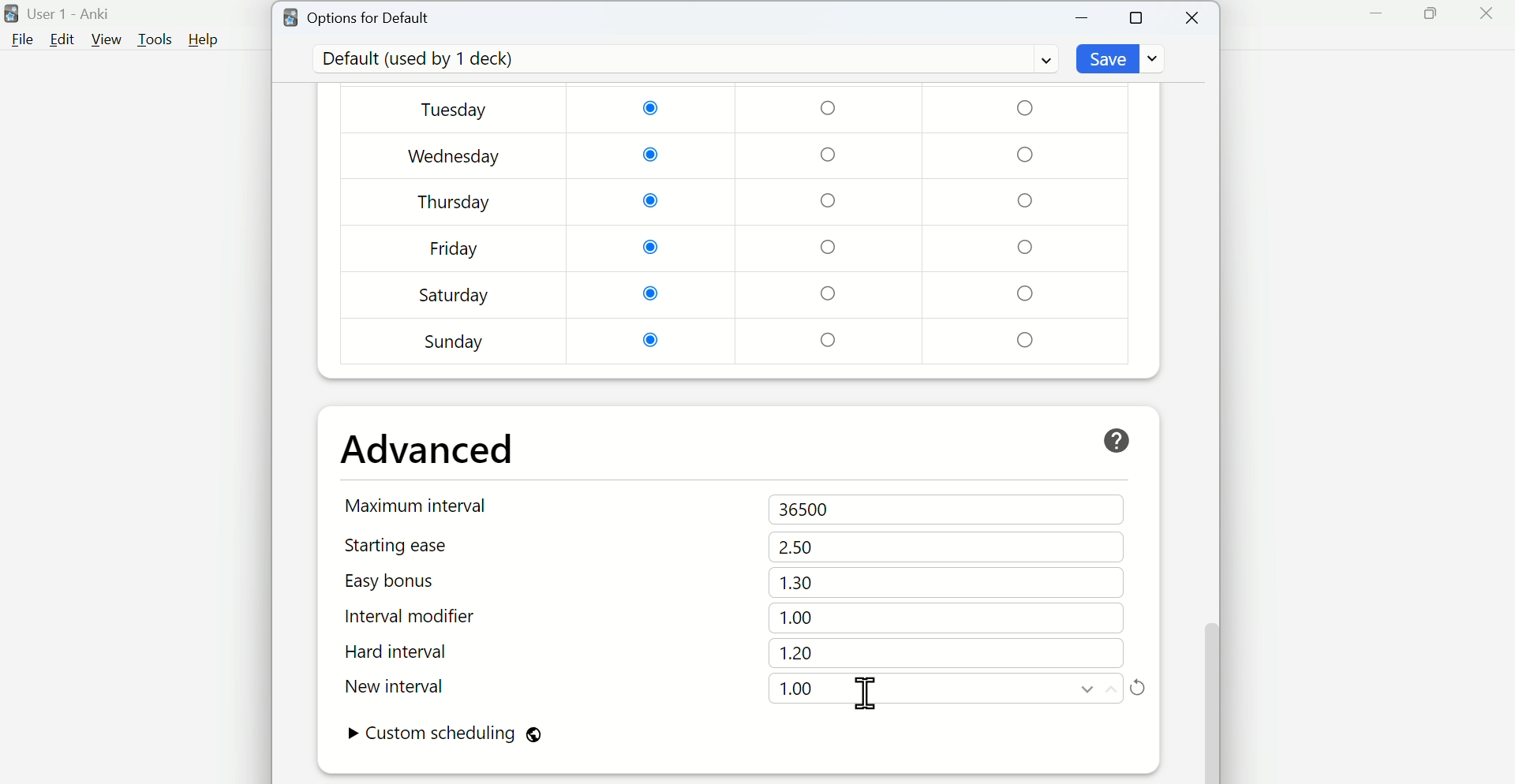 Image resolution: width=1515 pixels, height=784 pixels. Describe the element at coordinates (454, 252) in the screenshot. I see `Friday` at that location.